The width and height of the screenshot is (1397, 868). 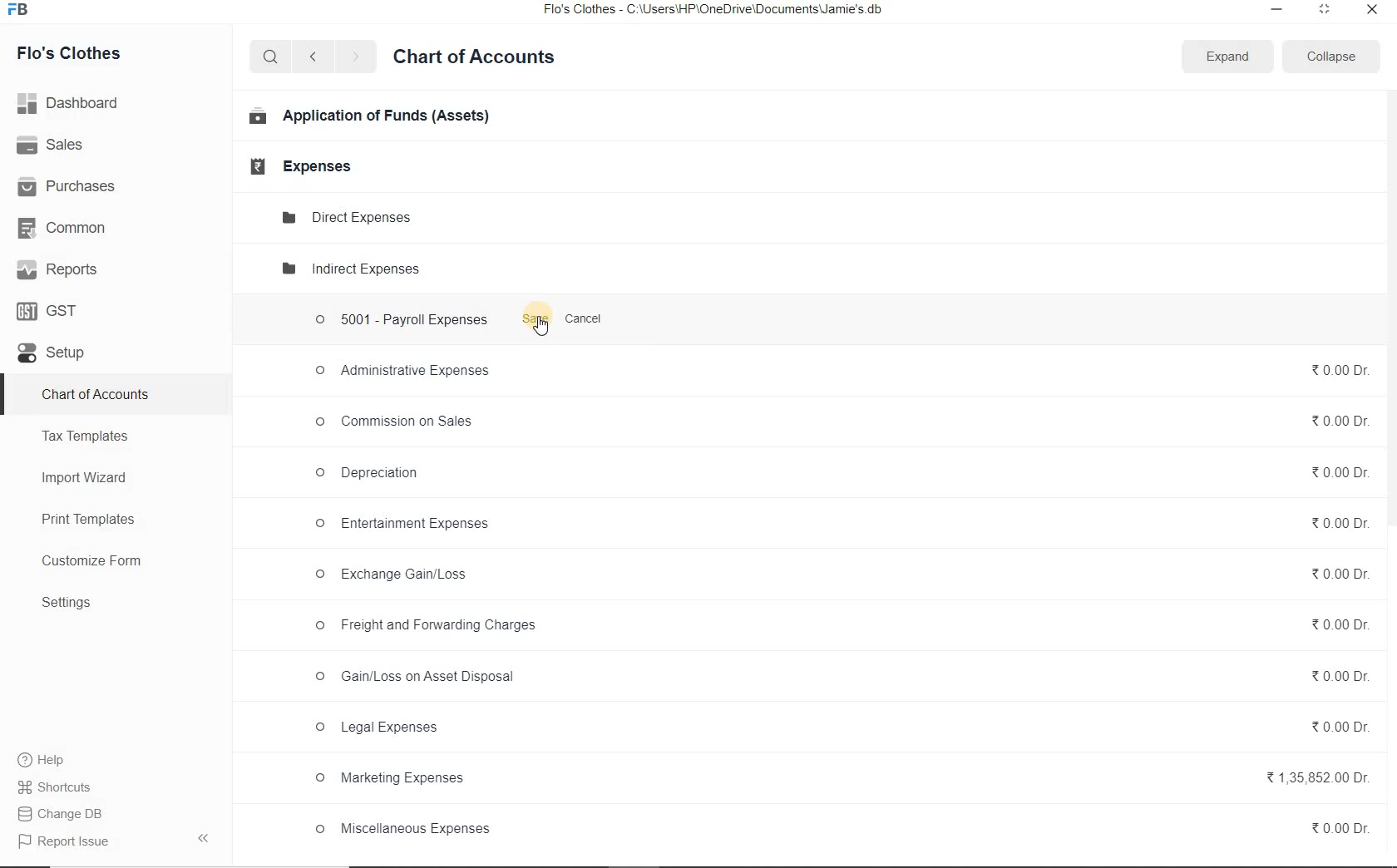 What do you see at coordinates (402, 317) in the screenshot?
I see `5001 - Payroll Expenses` at bounding box center [402, 317].